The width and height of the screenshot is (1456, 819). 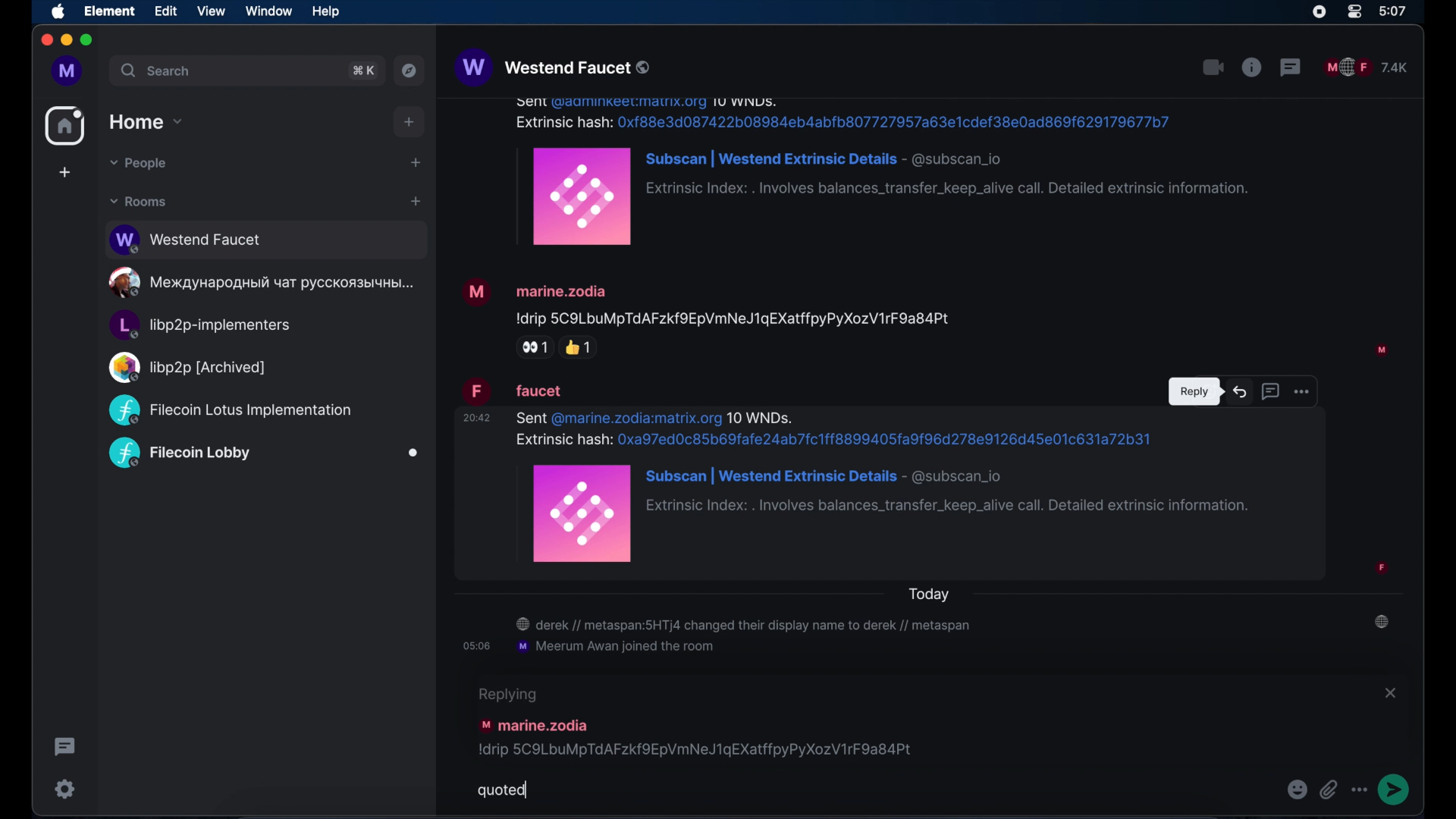 I want to click on people dropdown, so click(x=139, y=164).